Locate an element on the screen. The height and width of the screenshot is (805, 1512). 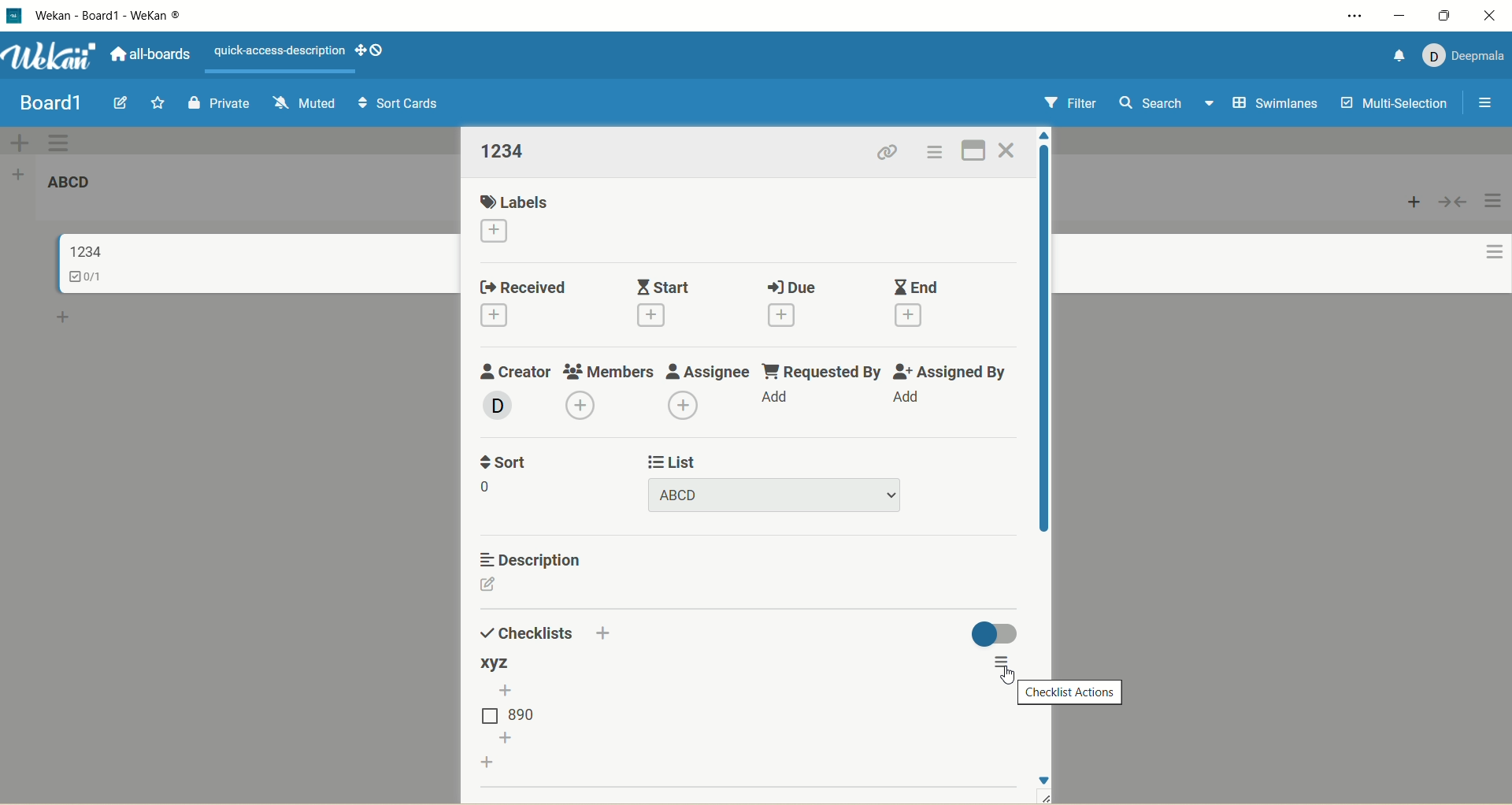
account is located at coordinates (1464, 57).